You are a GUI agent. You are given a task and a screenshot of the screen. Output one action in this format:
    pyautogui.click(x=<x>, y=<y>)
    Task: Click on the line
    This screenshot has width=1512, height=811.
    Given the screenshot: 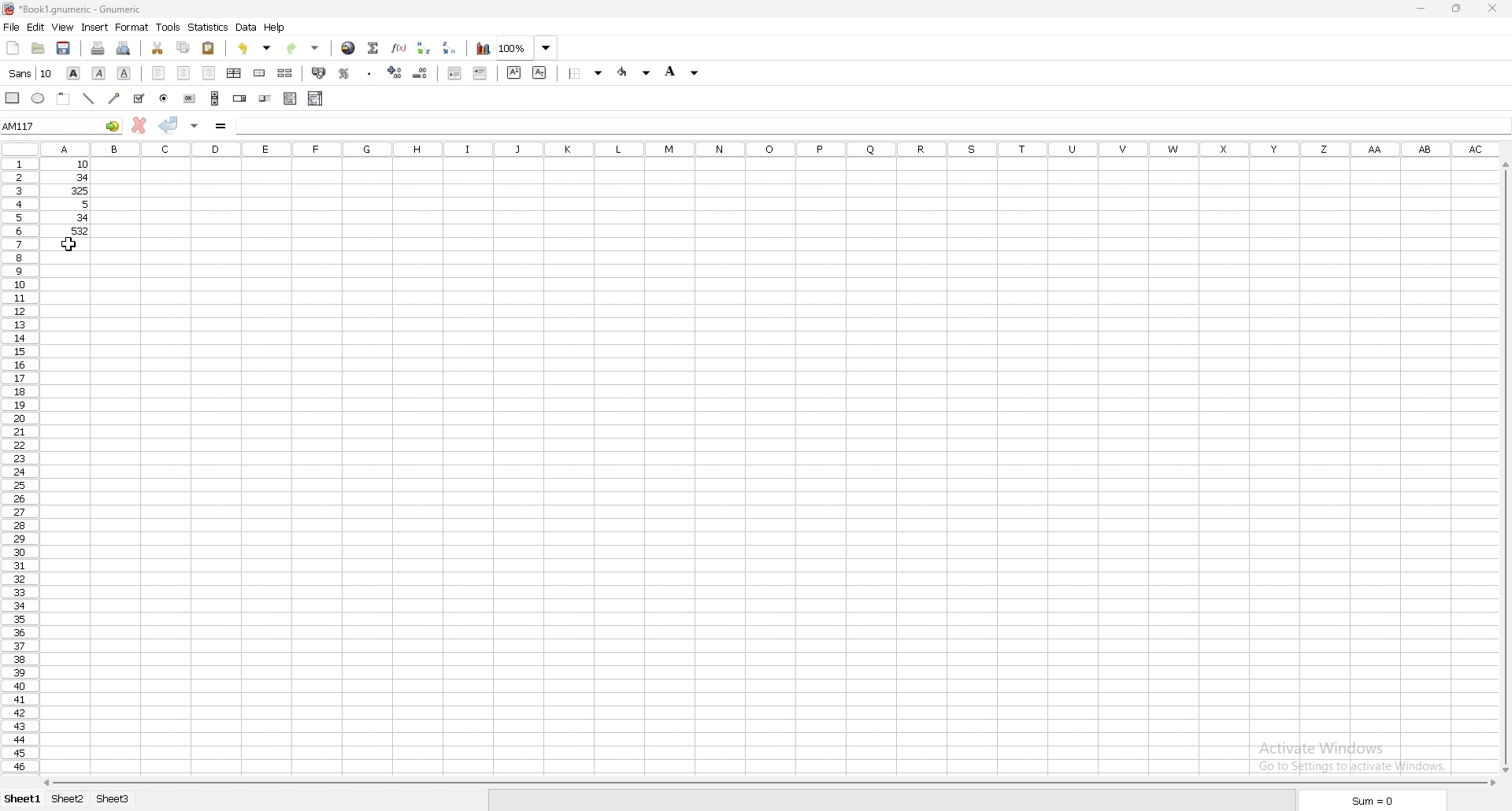 What is the action you would take?
    pyautogui.click(x=87, y=99)
    